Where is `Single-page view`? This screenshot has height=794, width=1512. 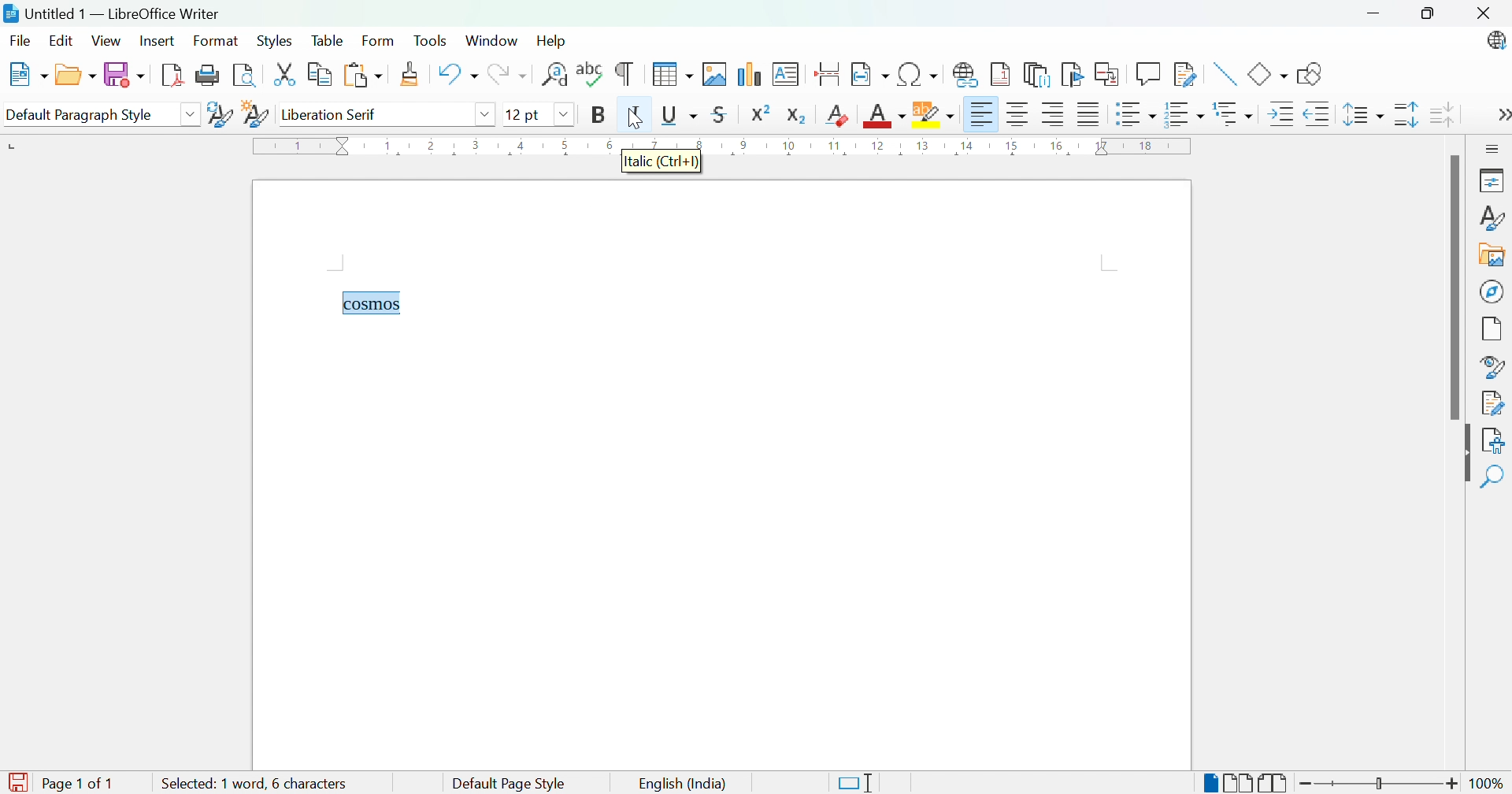
Single-page view is located at coordinates (1208, 785).